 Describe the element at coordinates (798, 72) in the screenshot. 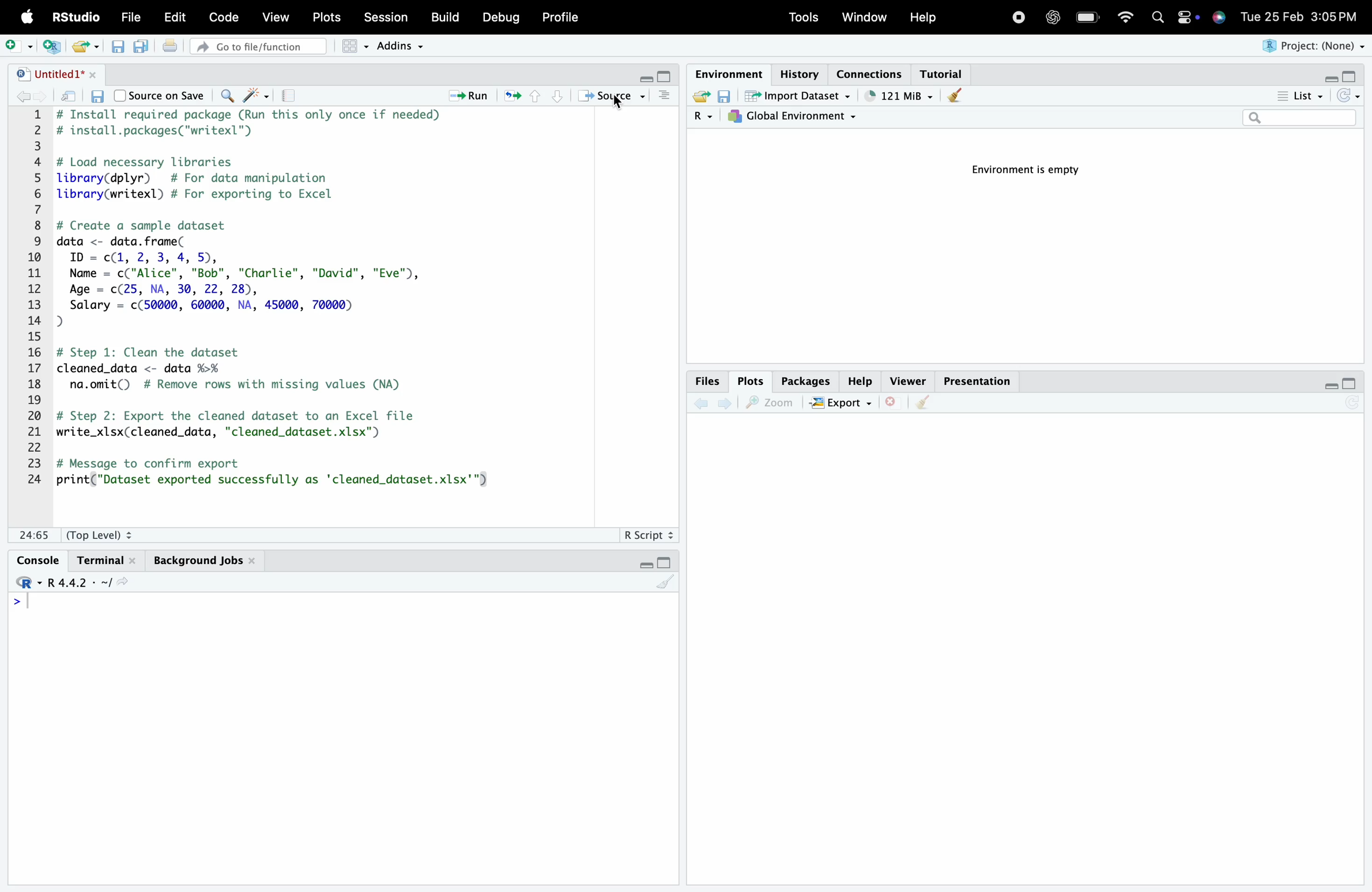

I see `History` at that location.